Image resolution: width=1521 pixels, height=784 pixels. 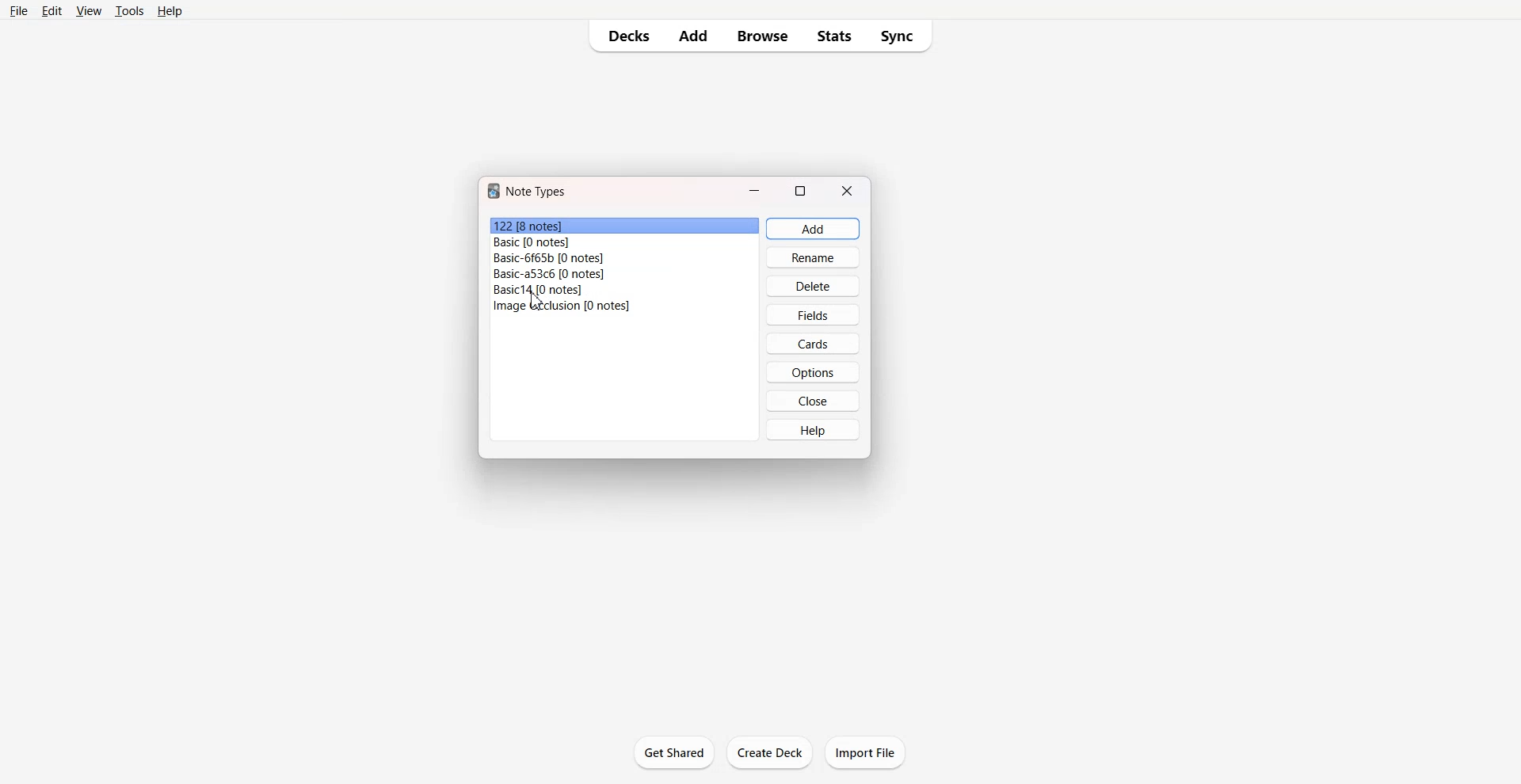 I want to click on File, so click(x=20, y=11).